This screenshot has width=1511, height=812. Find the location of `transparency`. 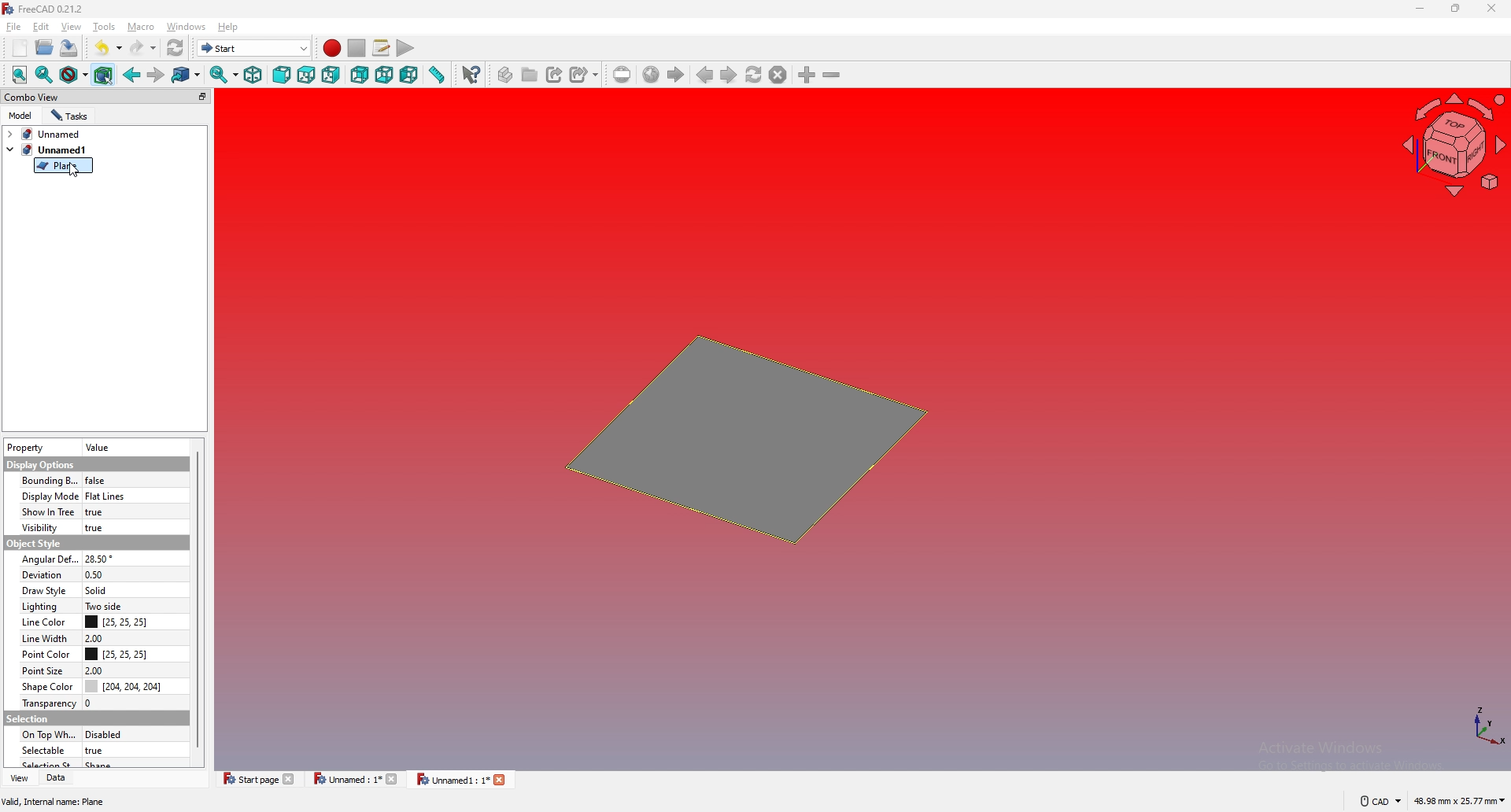

transparency is located at coordinates (46, 703).